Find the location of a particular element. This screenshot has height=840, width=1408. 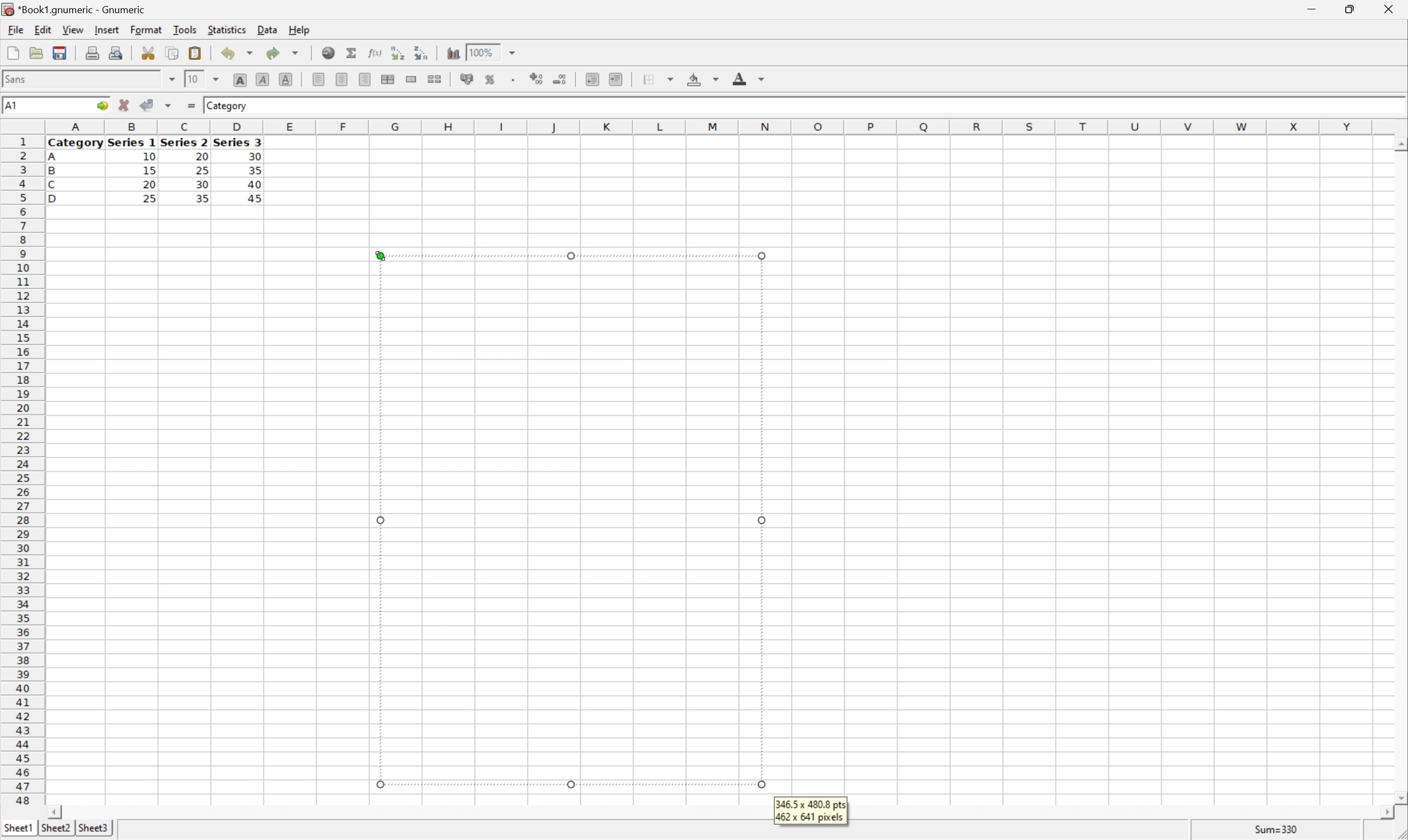

Sum=0 is located at coordinates (1279, 832).